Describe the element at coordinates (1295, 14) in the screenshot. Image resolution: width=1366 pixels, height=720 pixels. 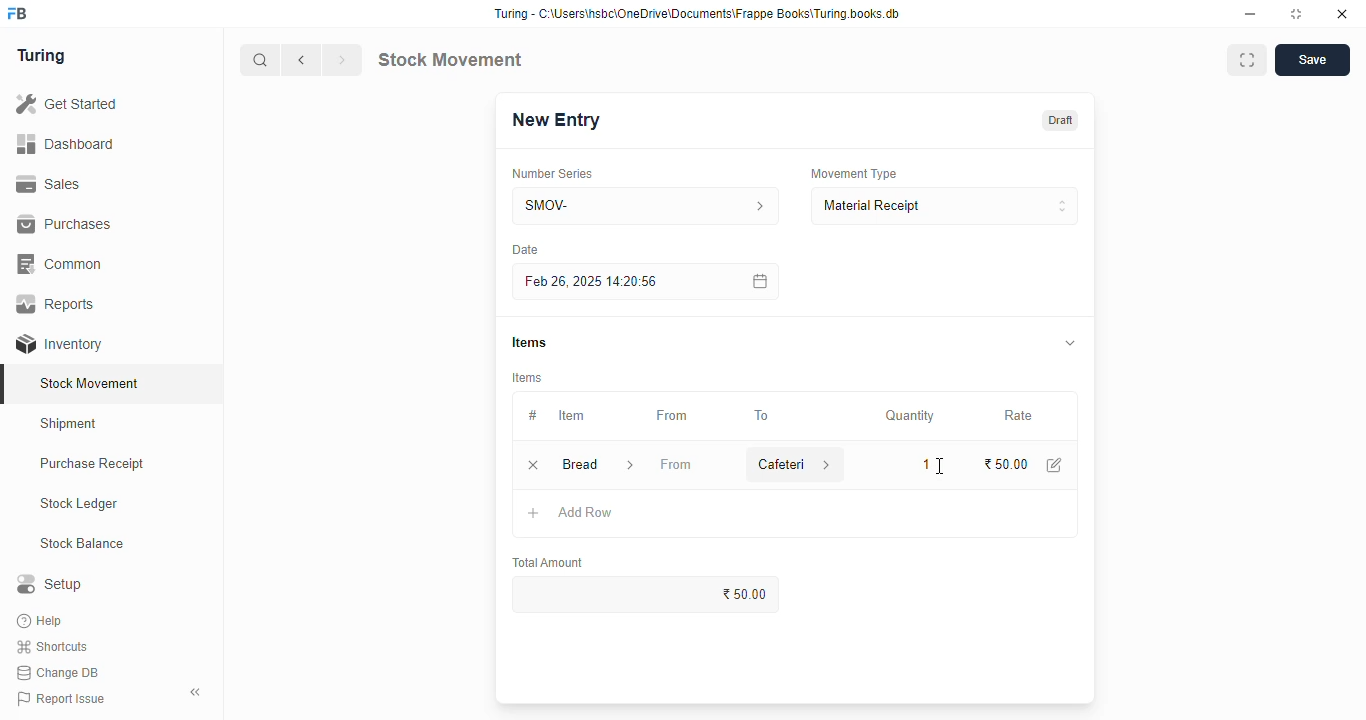
I see `toggle maximize` at that location.